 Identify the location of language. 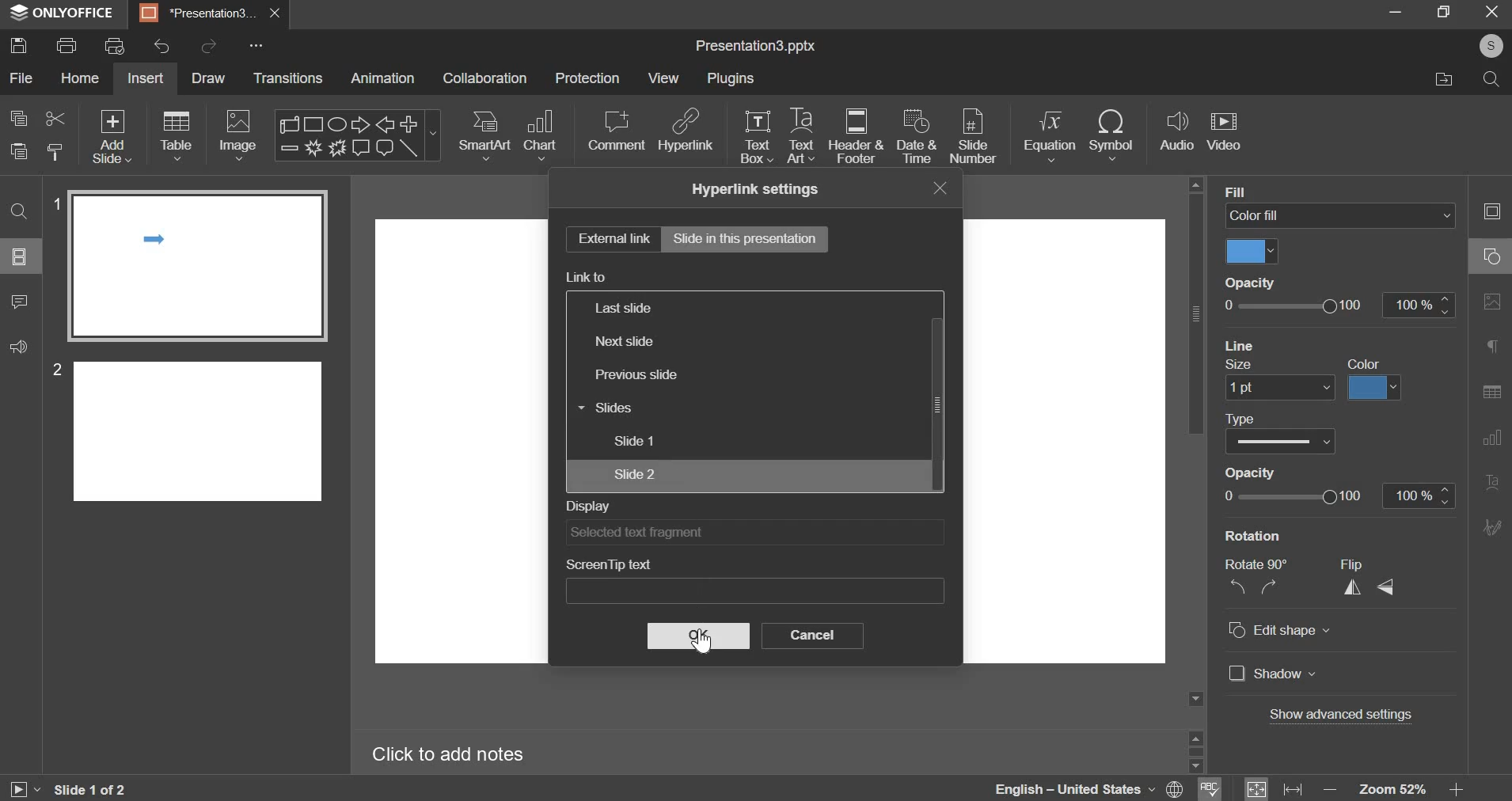
(1052, 788).